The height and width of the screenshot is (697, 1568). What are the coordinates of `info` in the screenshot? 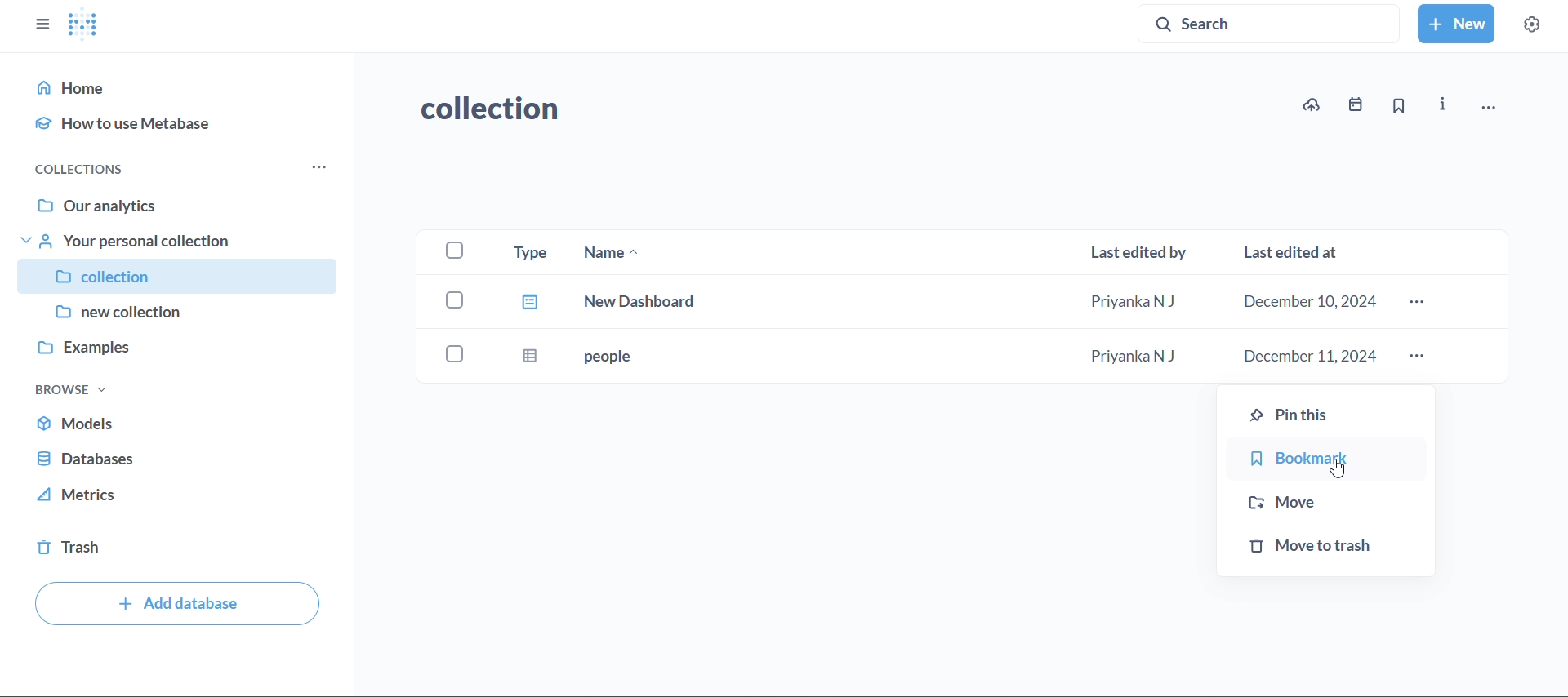 It's located at (1441, 106).